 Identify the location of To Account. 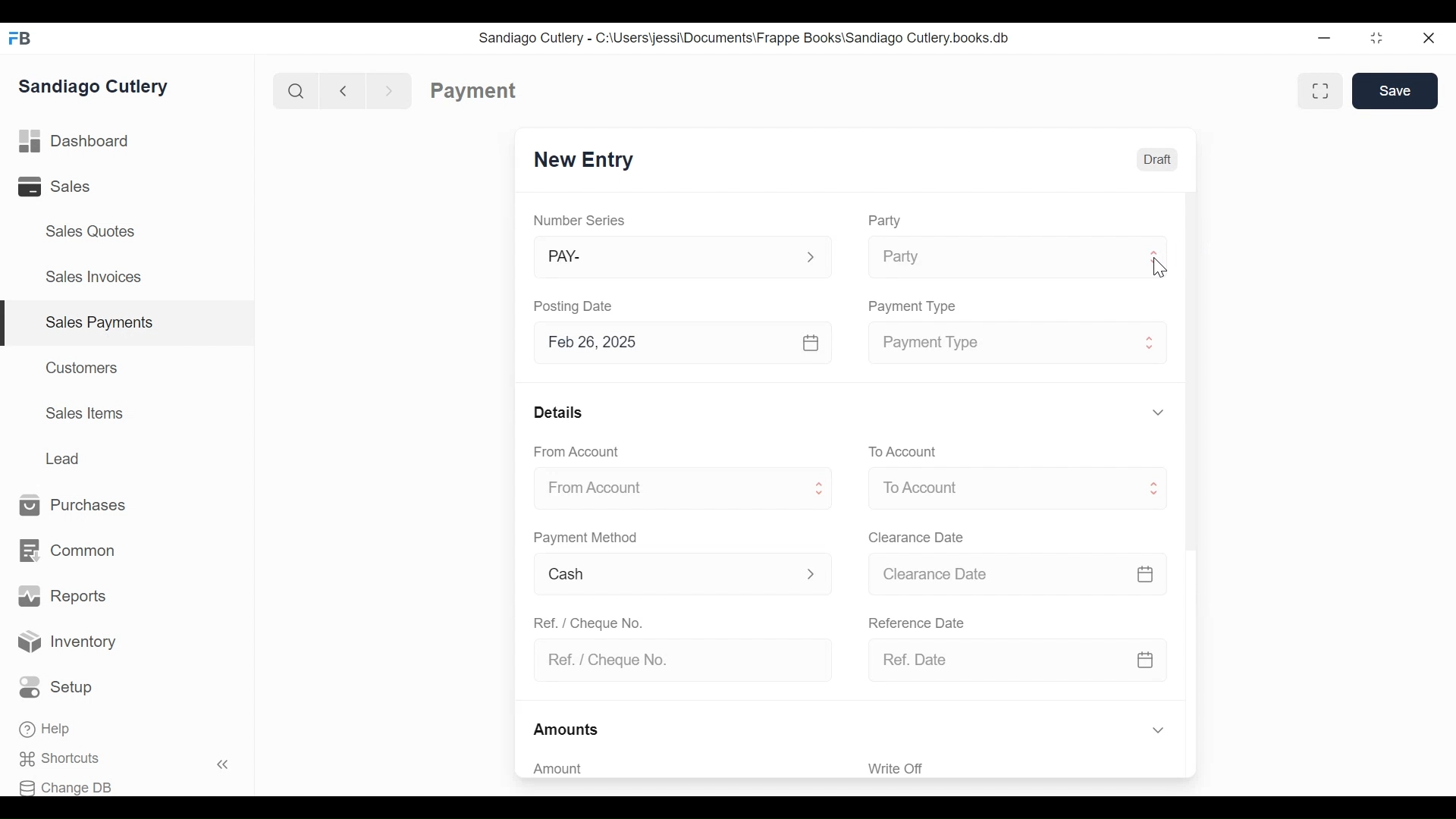
(902, 452).